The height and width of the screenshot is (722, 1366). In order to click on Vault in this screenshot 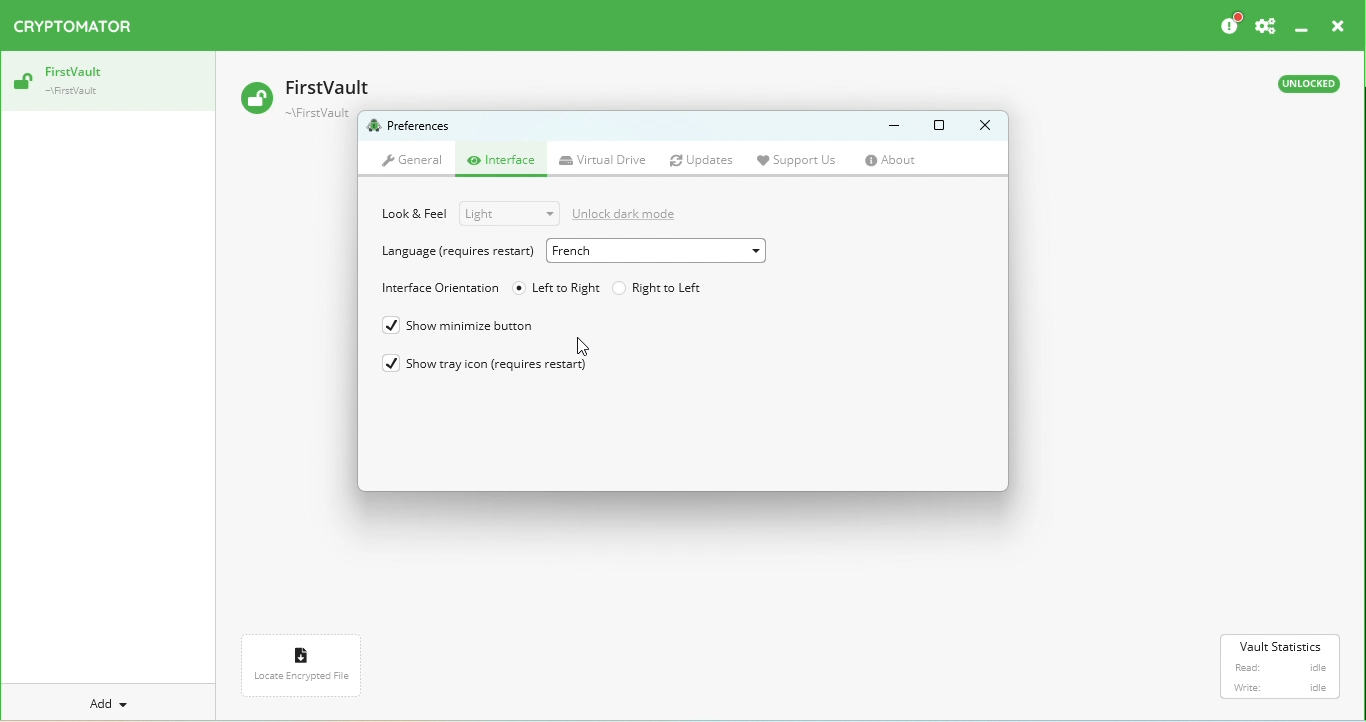, I will do `click(312, 93)`.